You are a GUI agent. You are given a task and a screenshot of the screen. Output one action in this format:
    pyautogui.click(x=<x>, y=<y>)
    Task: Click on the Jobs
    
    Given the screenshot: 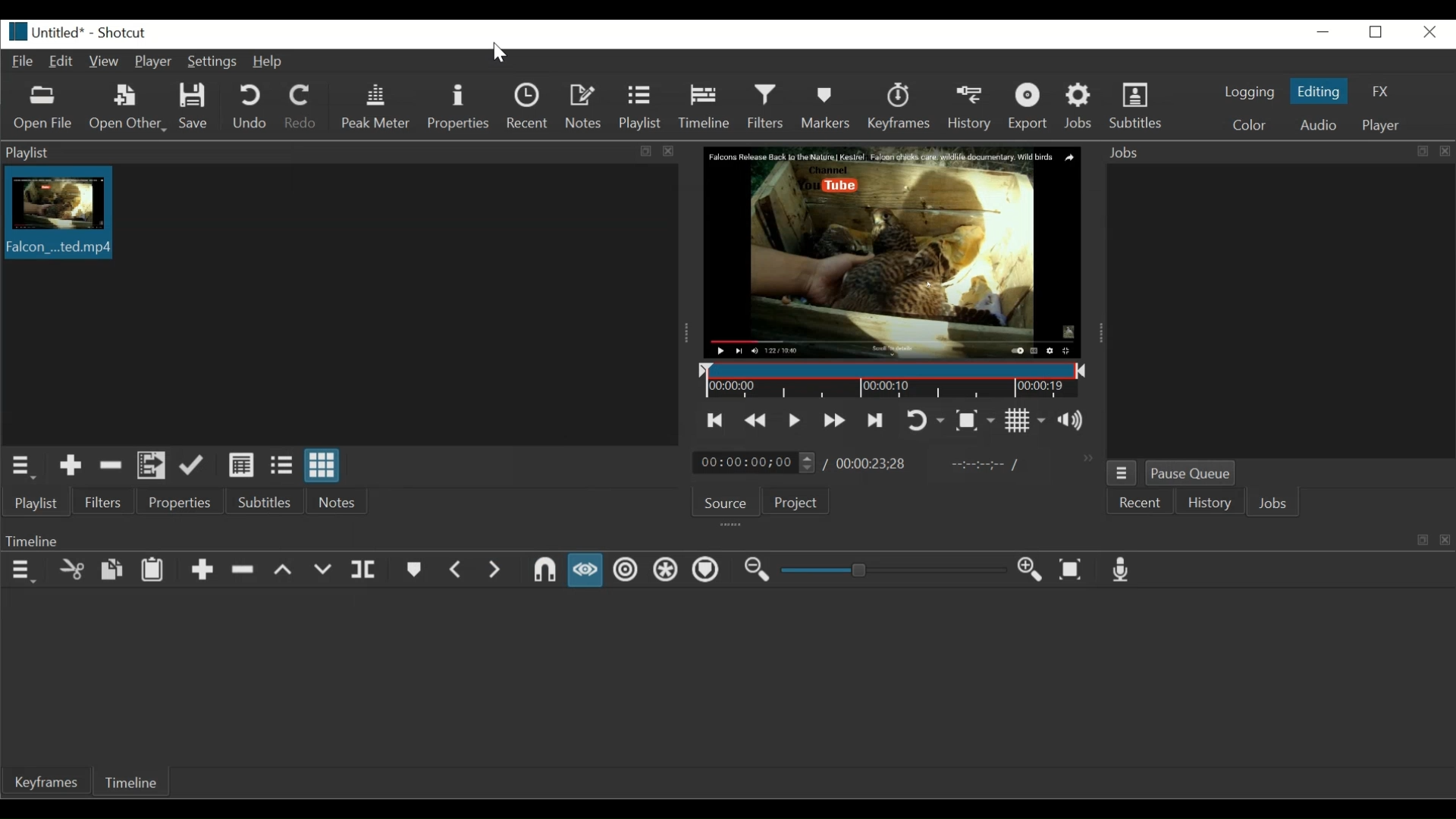 What is the action you would take?
    pyautogui.click(x=1081, y=108)
    